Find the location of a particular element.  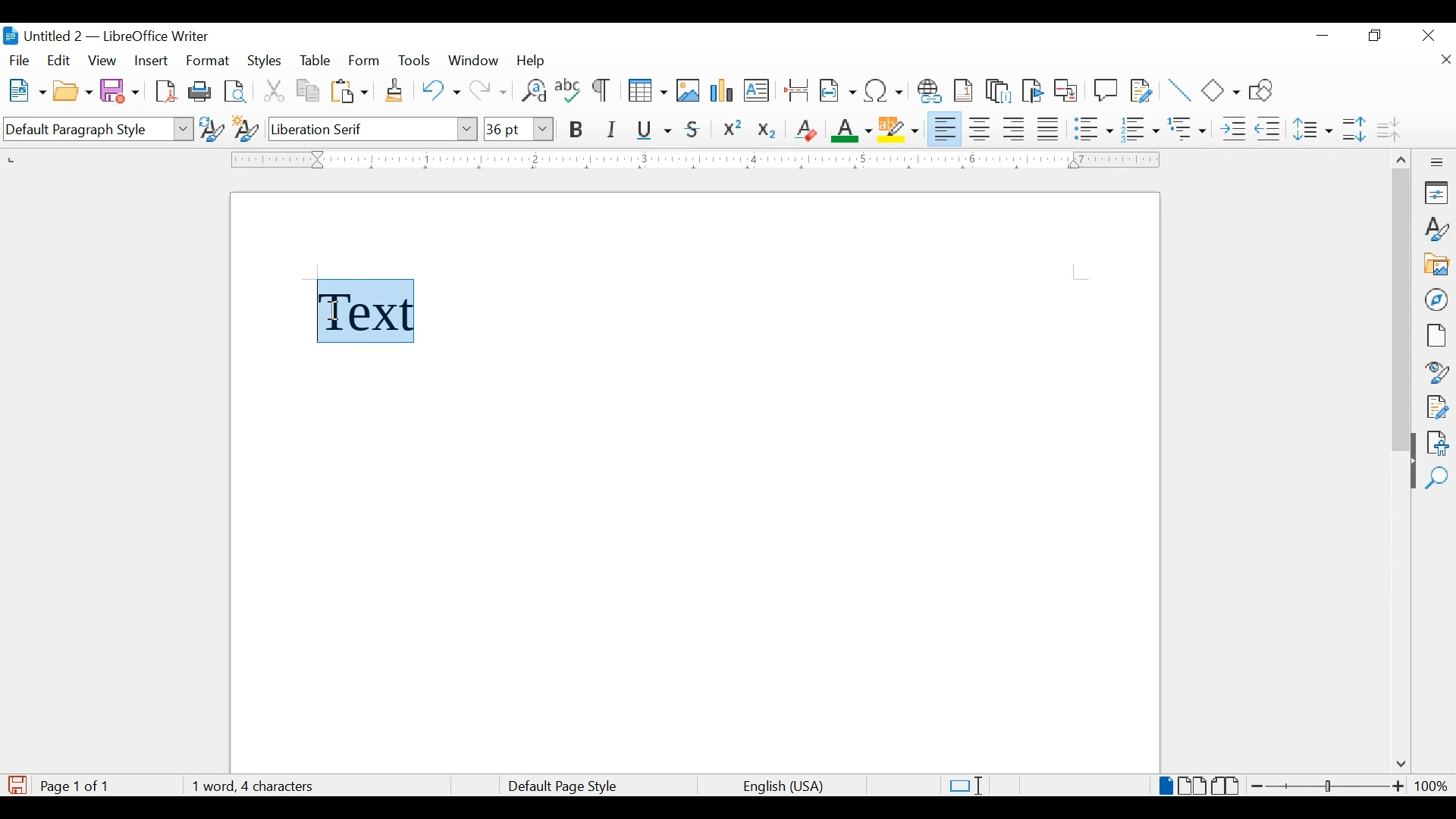

styles is located at coordinates (266, 61).